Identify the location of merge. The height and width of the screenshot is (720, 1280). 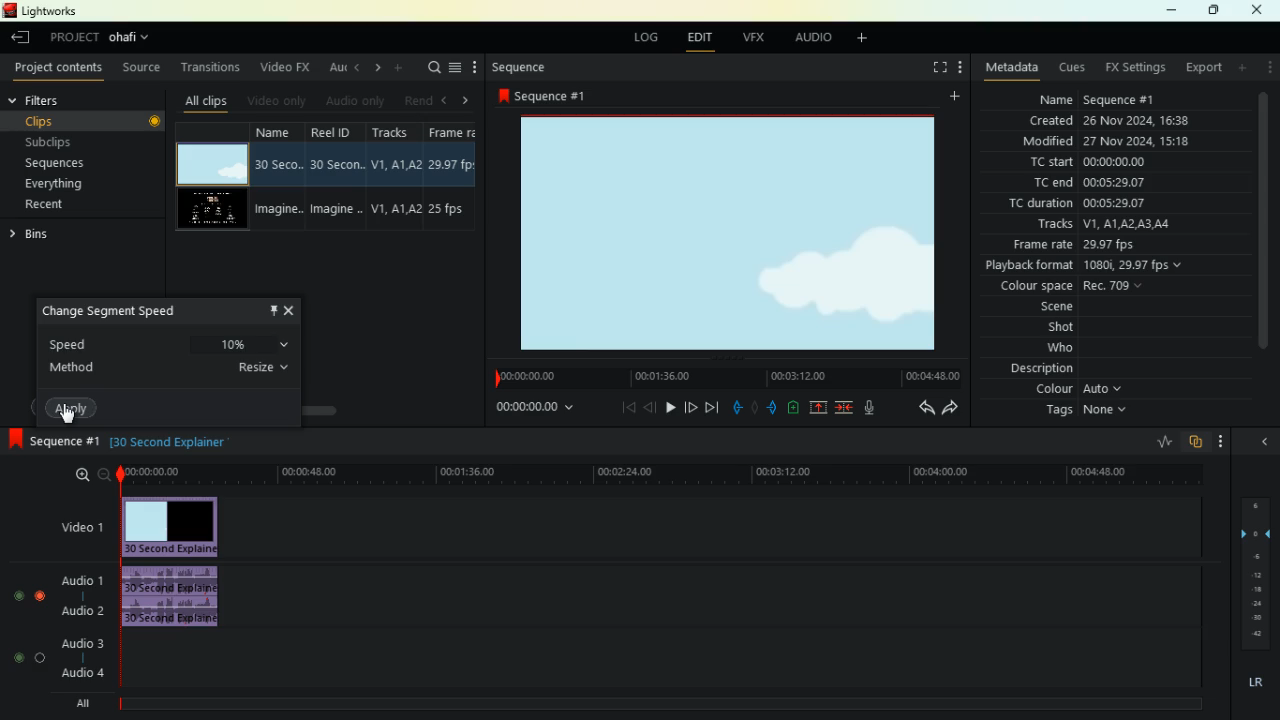
(845, 408).